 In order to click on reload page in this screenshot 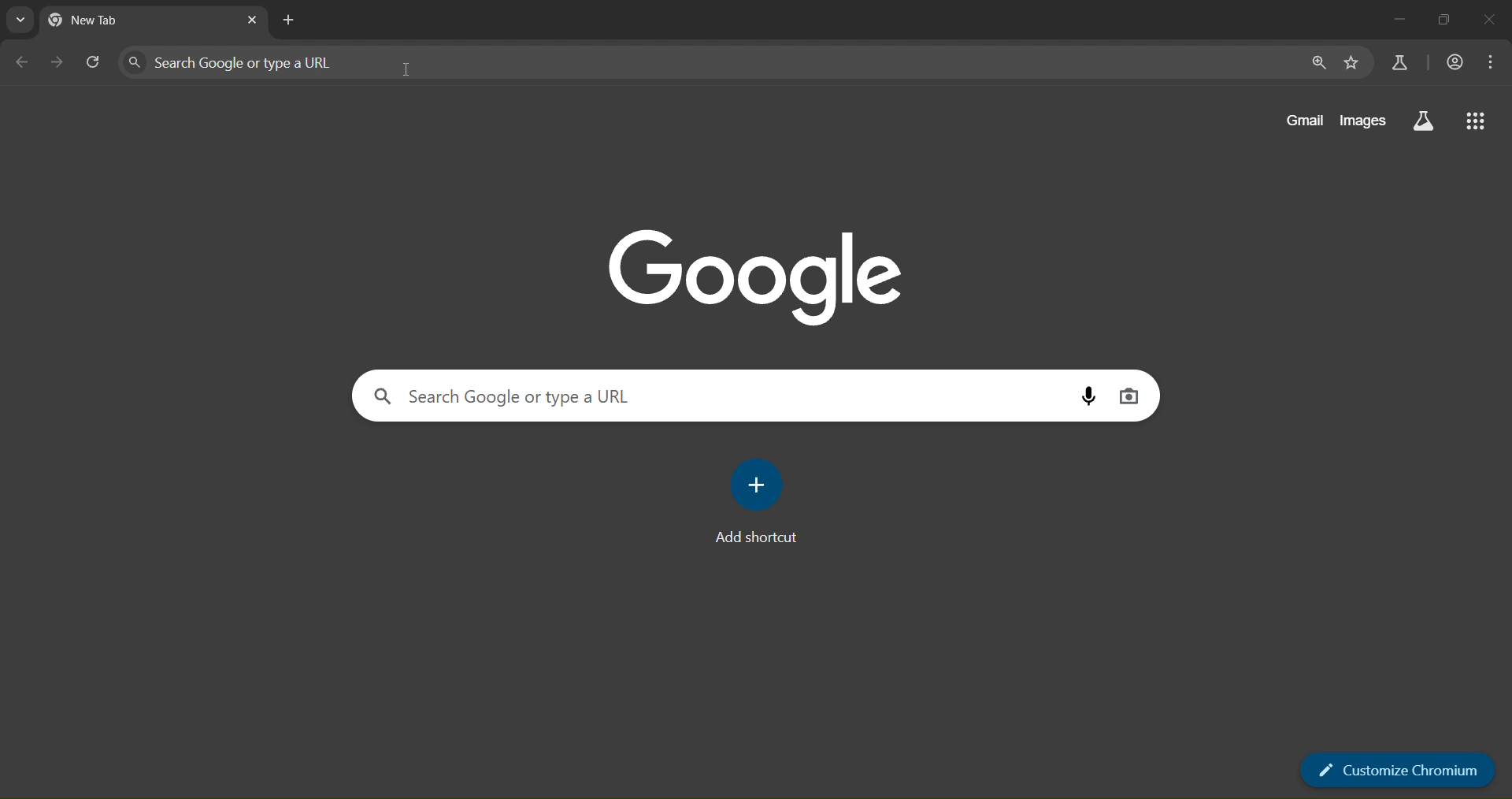, I will do `click(94, 64)`.